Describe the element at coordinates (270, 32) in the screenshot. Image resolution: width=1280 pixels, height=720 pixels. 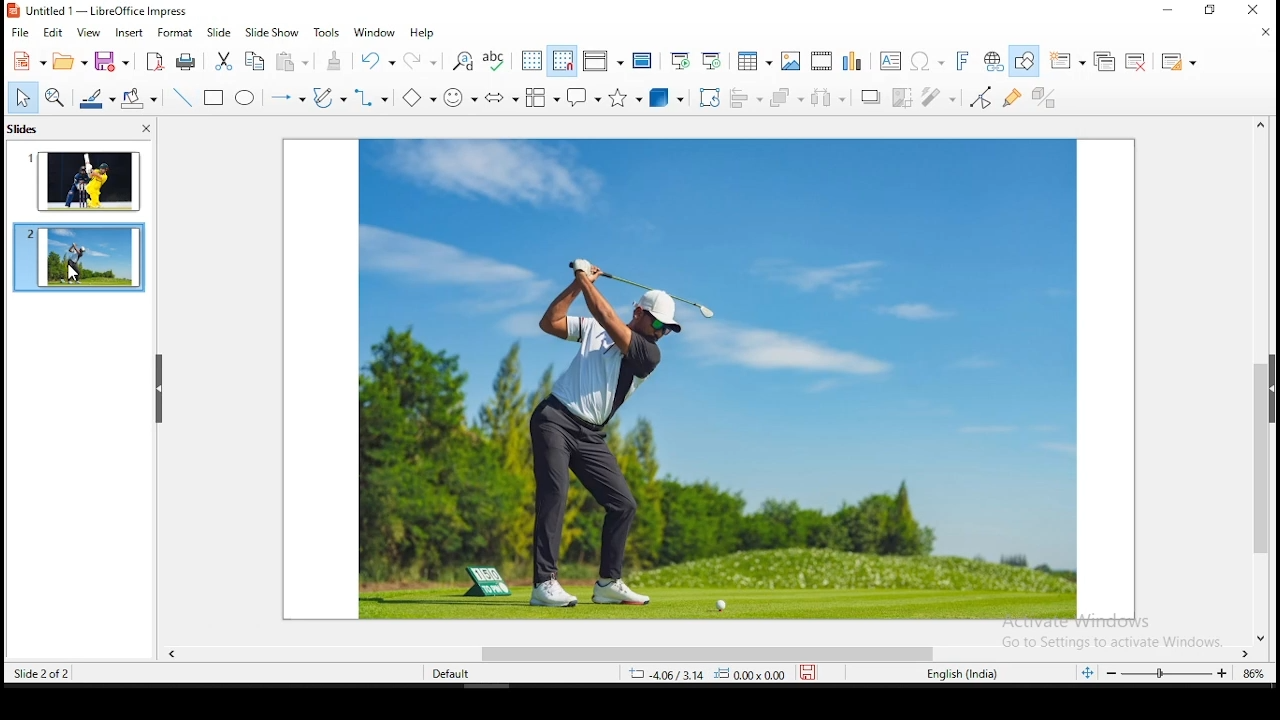
I see `slide show` at that location.